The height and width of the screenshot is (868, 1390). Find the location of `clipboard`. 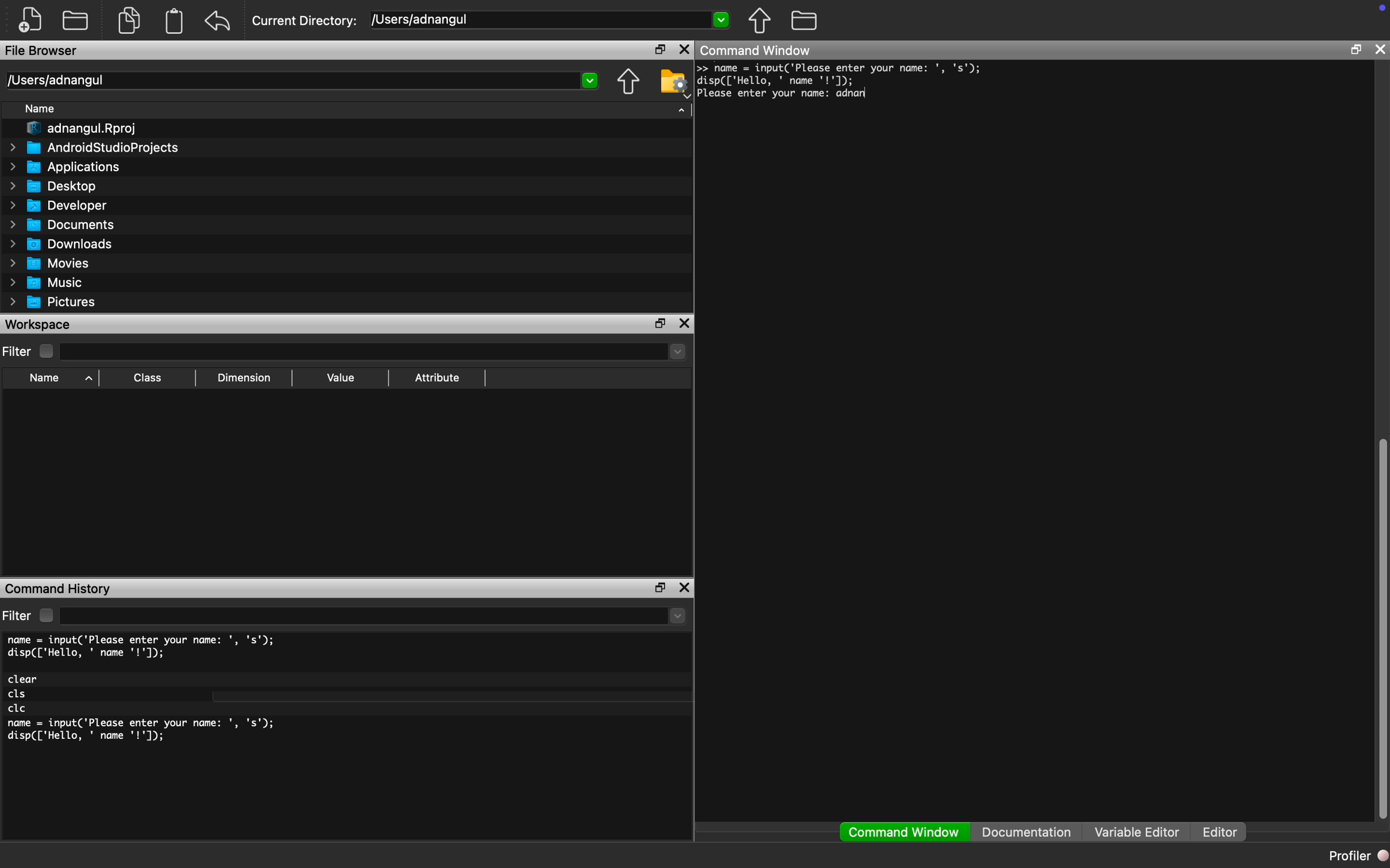

clipboard is located at coordinates (175, 21).